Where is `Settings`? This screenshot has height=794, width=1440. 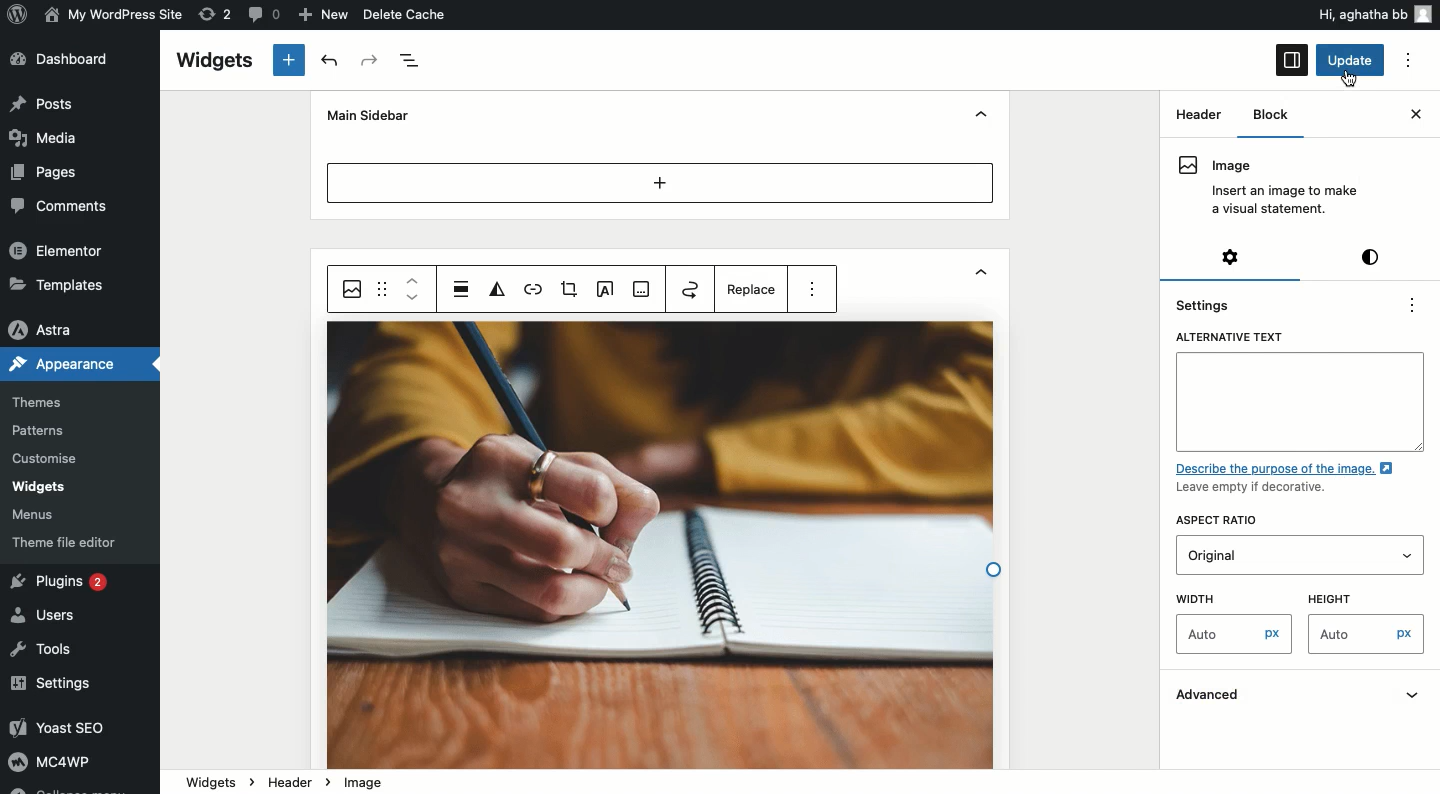
Settings is located at coordinates (1209, 304).